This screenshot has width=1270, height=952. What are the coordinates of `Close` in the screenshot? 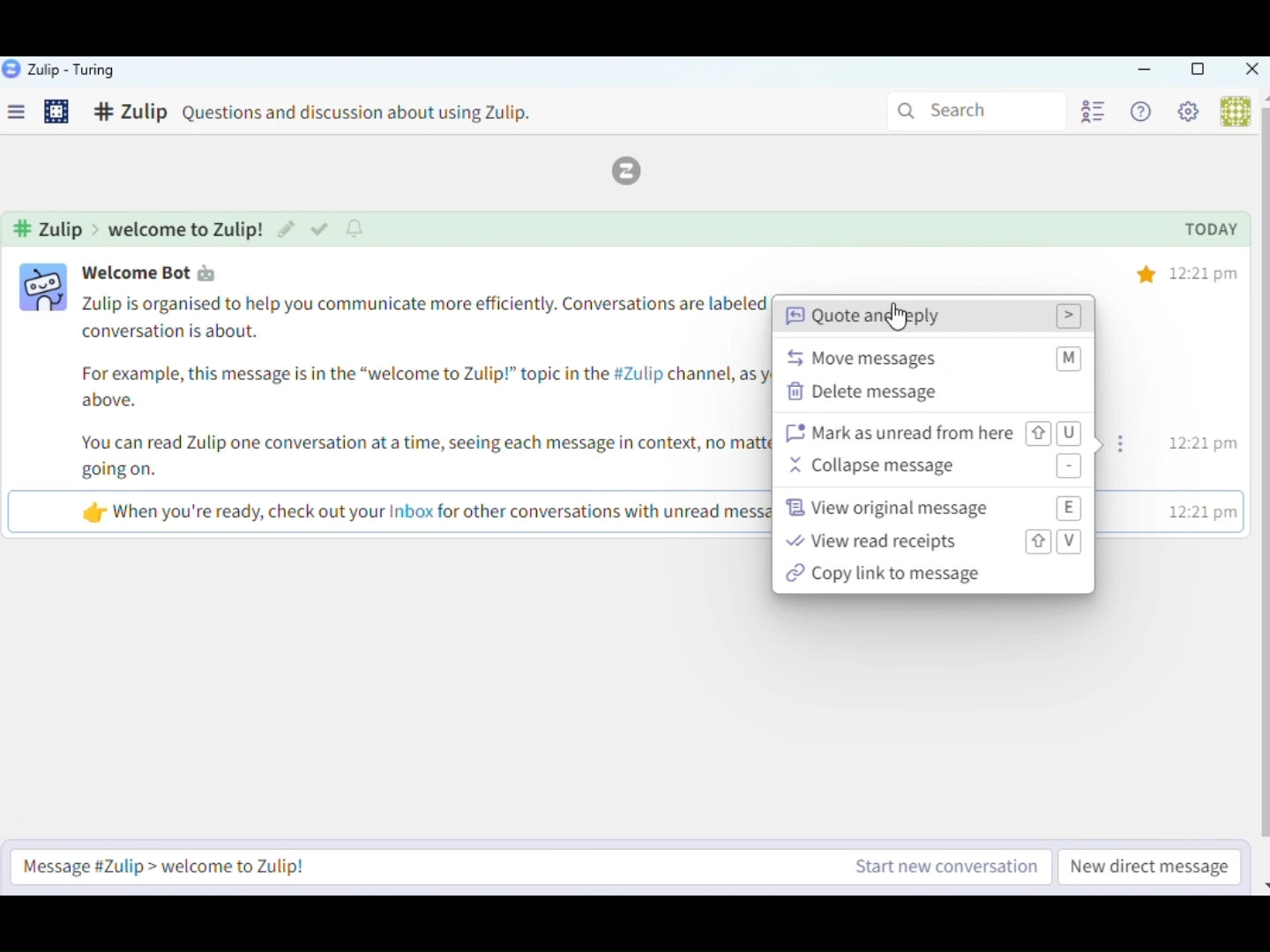 It's located at (1251, 71).